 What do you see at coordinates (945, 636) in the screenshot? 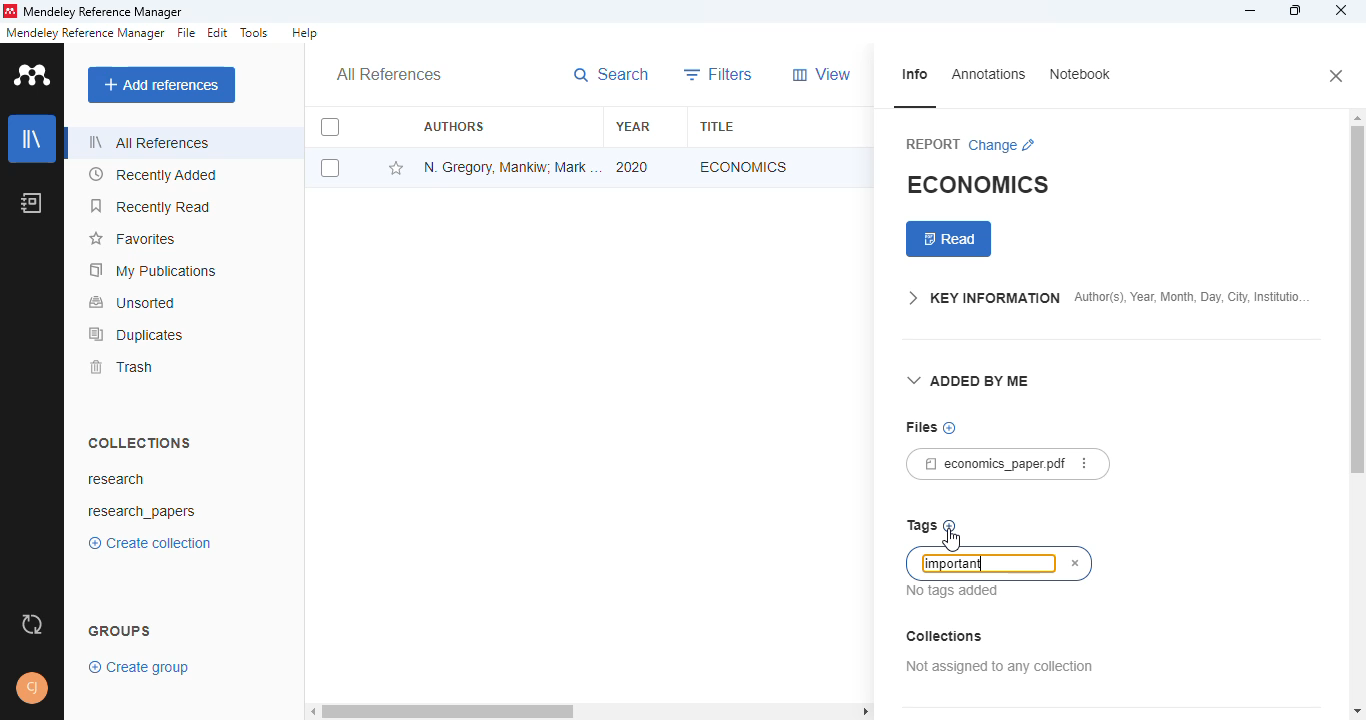
I see `collections` at bounding box center [945, 636].